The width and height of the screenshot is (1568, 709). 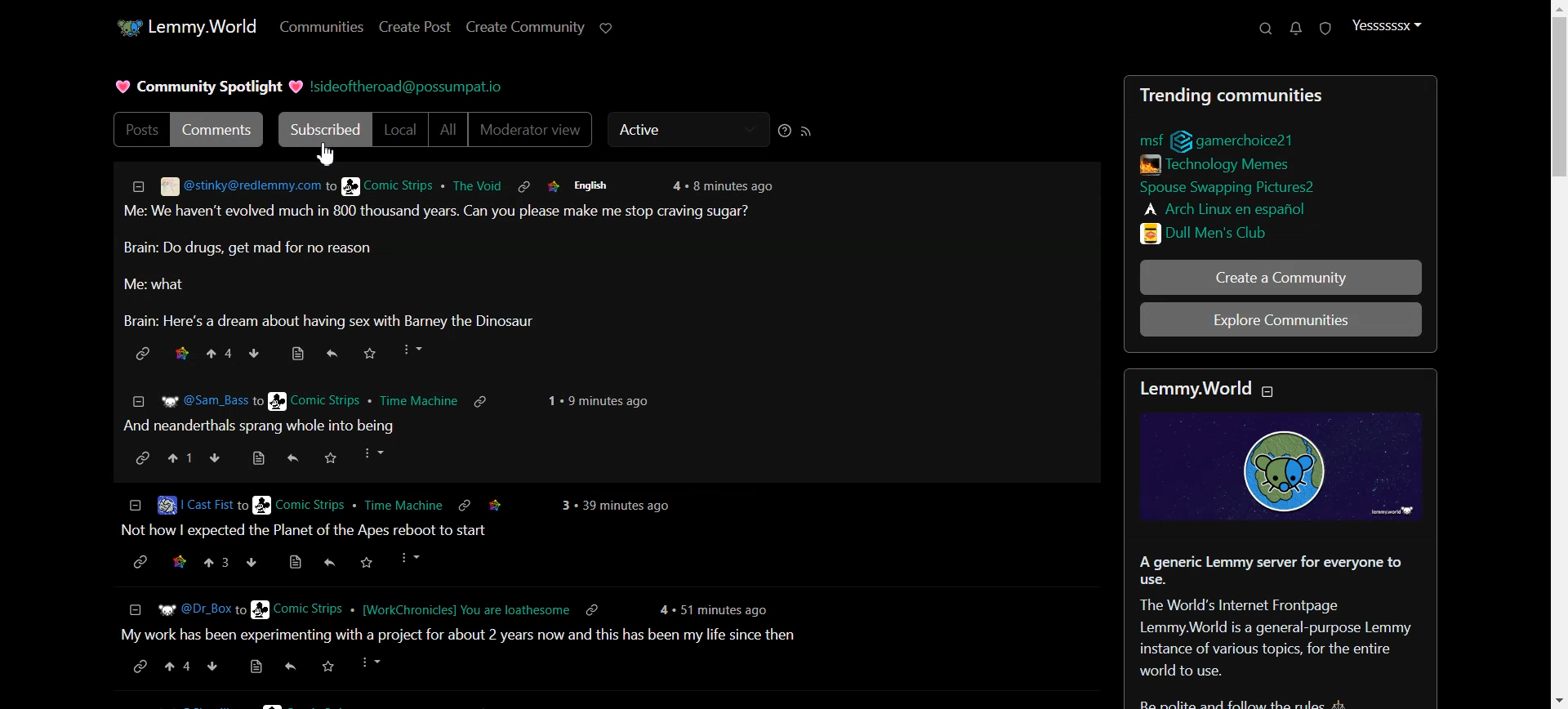 I want to click on Comments, so click(x=221, y=128).